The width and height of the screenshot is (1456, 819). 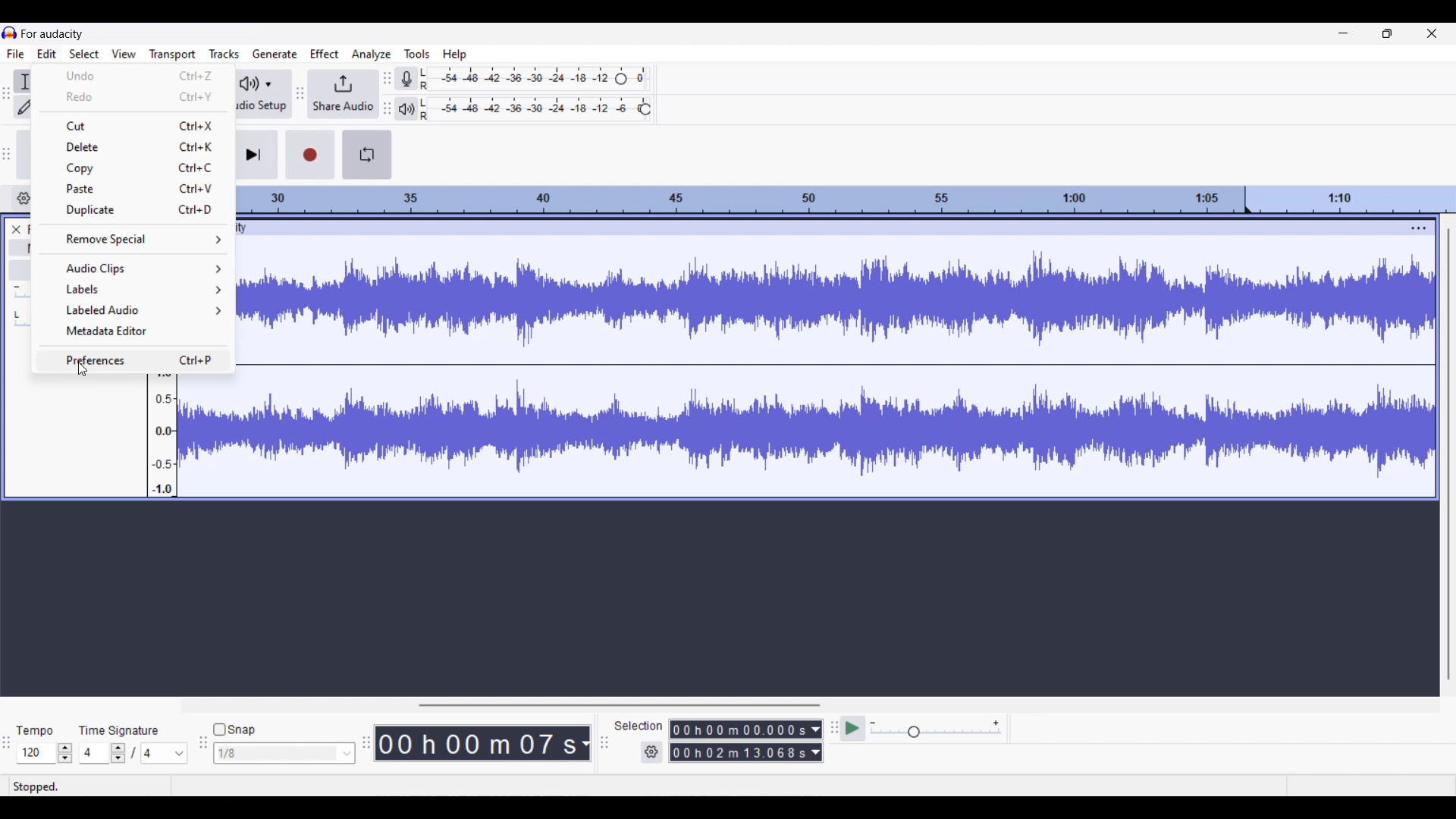 What do you see at coordinates (21, 320) in the screenshot?
I see `Pan scale` at bounding box center [21, 320].